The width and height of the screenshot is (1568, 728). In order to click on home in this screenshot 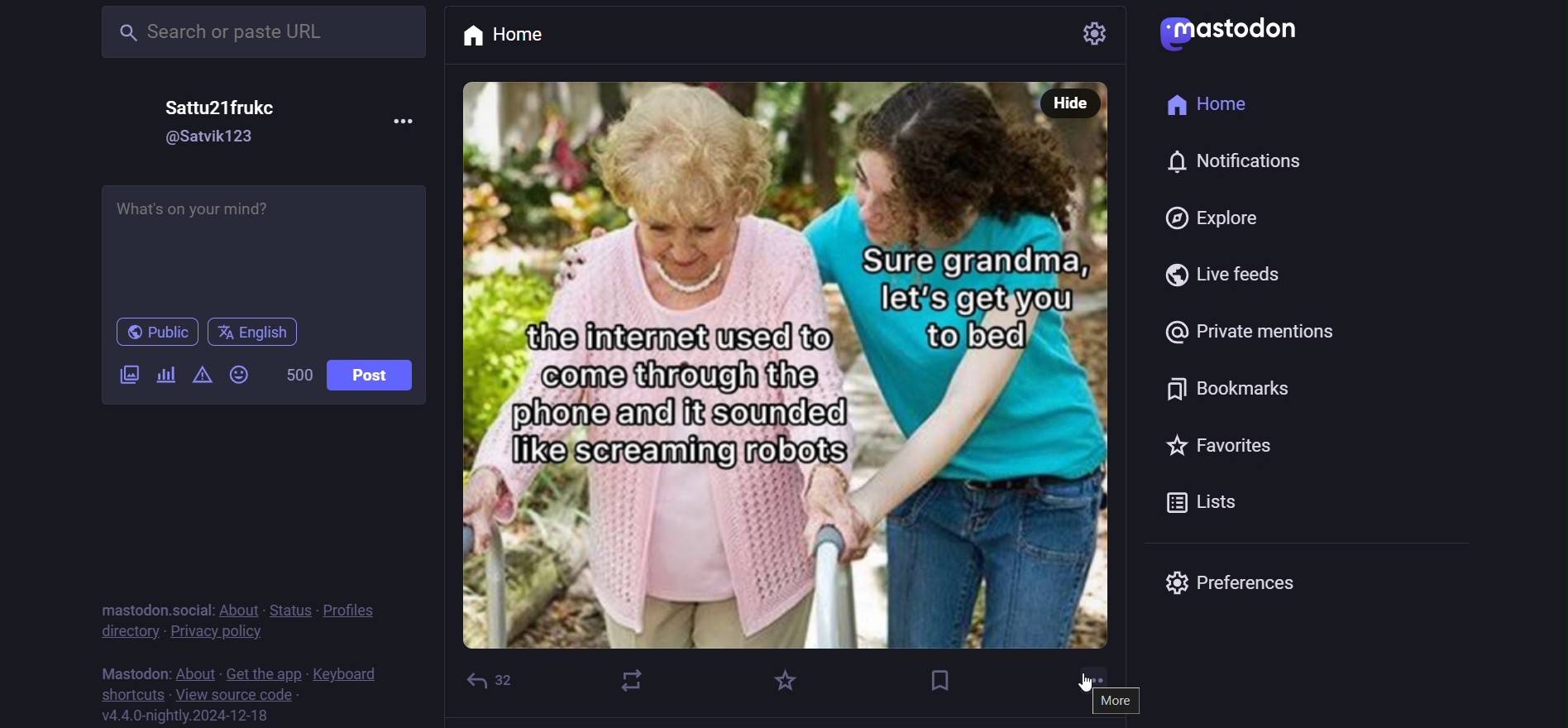, I will do `click(1208, 103)`.